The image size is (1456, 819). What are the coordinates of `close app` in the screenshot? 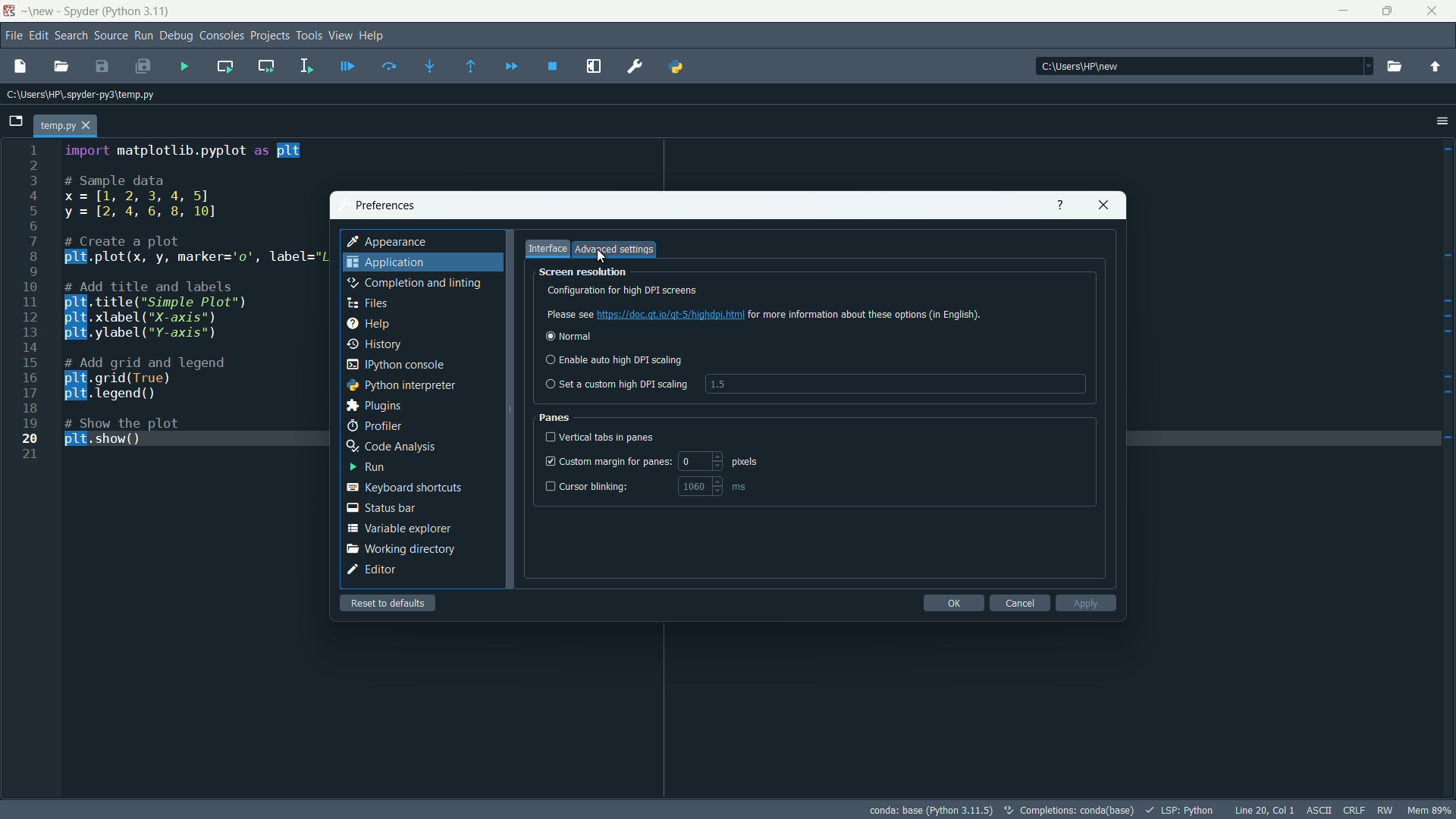 It's located at (1436, 11).